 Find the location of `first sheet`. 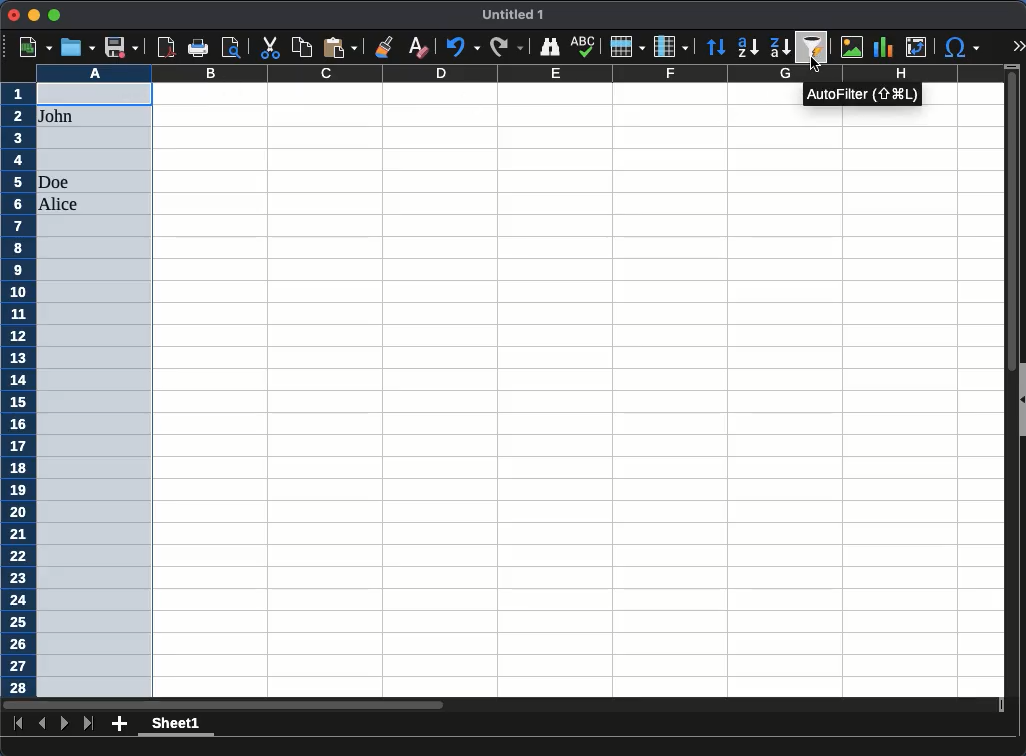

first sheet is located at coordinates (17, 722).